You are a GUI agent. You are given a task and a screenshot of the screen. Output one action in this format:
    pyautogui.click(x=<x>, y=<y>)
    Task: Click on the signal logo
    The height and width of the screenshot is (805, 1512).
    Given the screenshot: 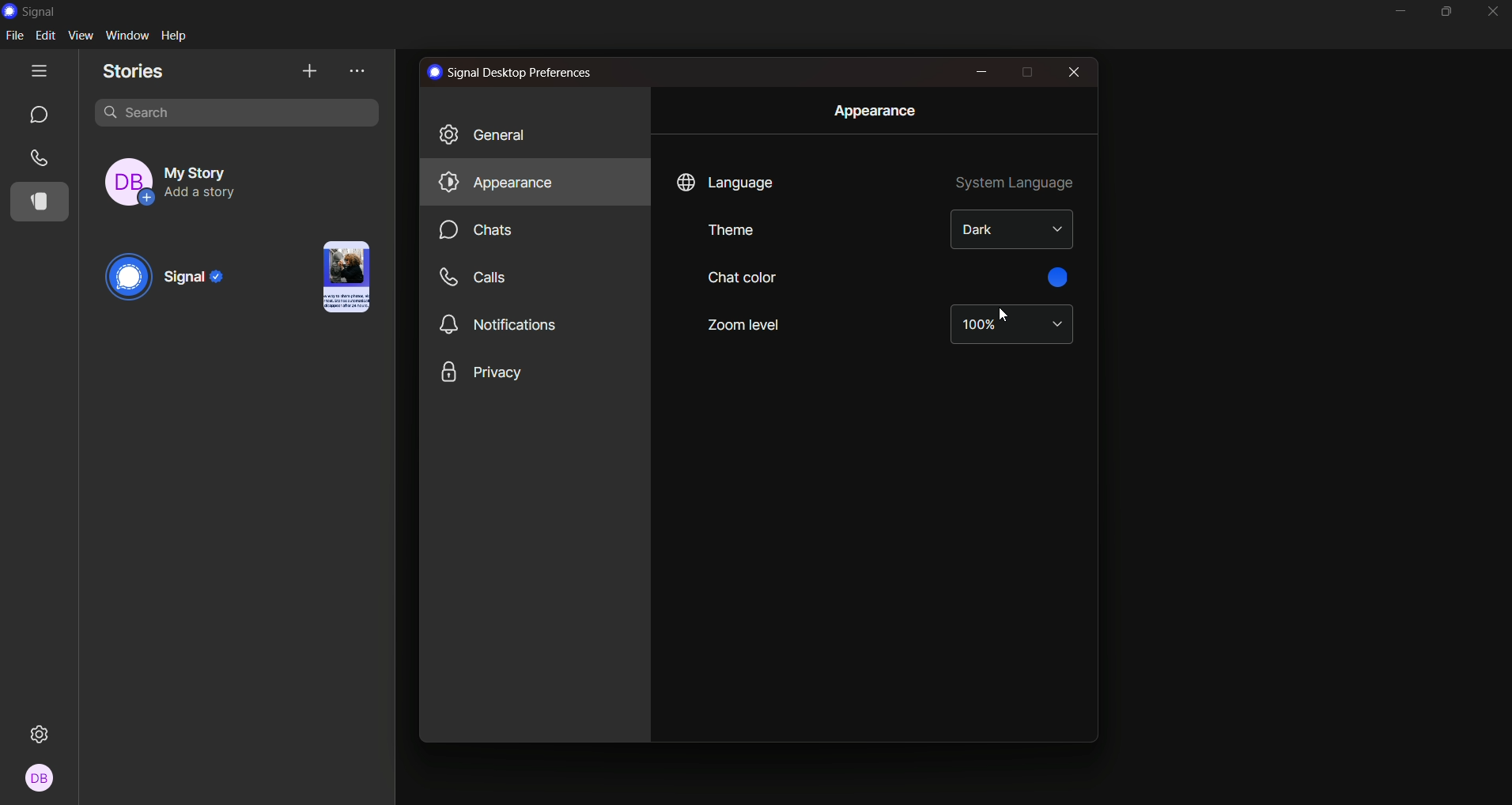 What is the action you would take?
    pyautogui.click(x=170, y=279)
    